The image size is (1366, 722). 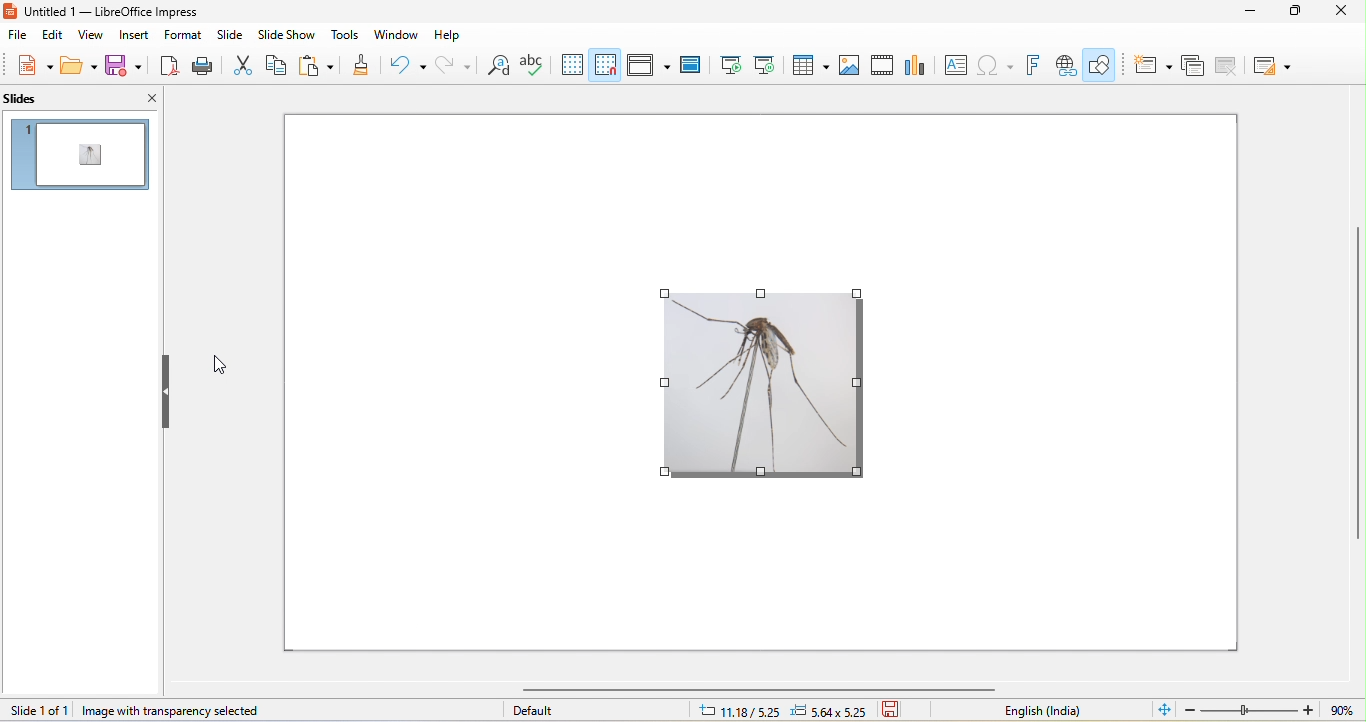 I want to click on table, so click(x=809, y=64).